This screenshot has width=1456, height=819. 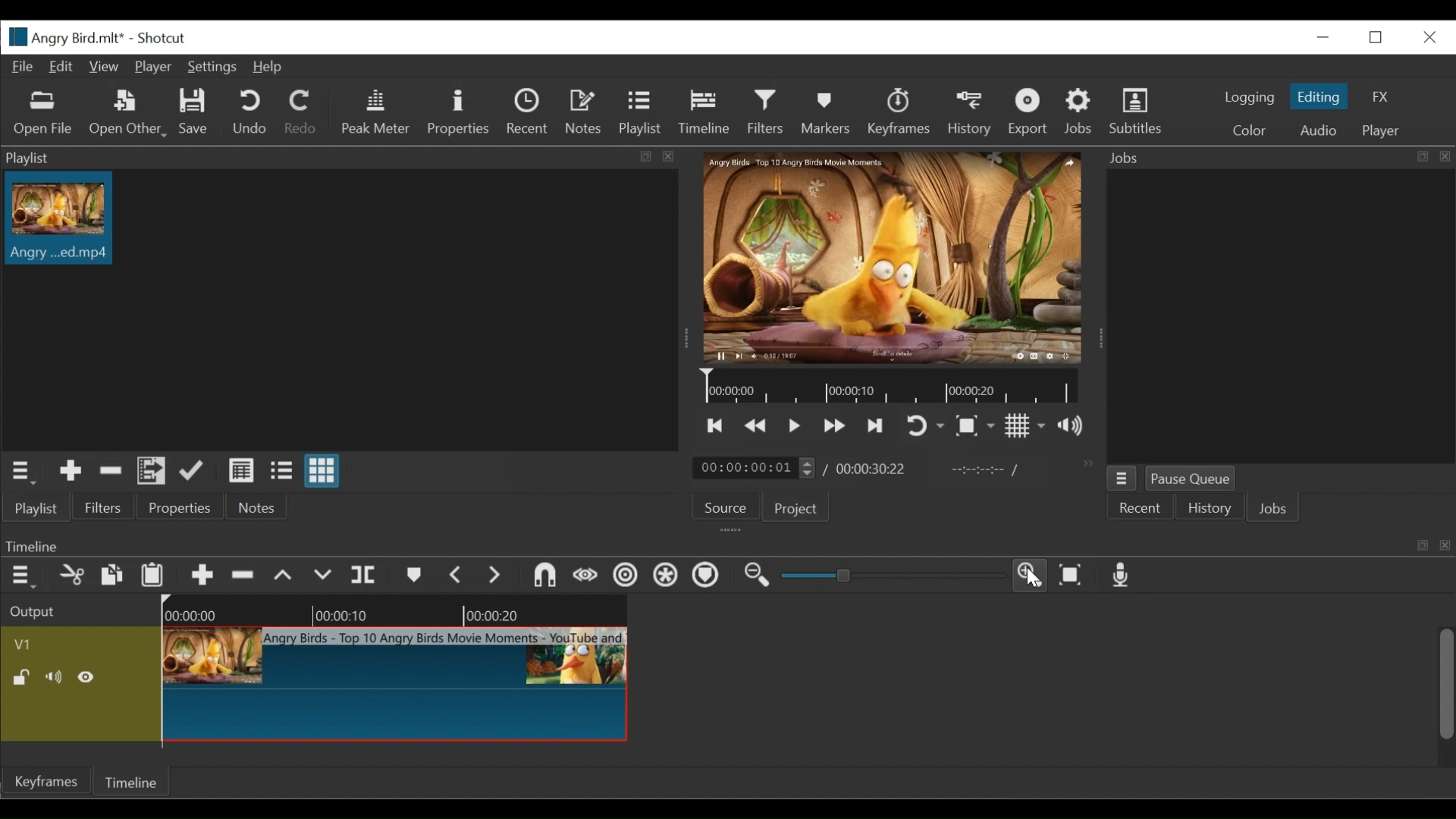 I want to click on Toggle player on looping, so click(x=927, y=426).